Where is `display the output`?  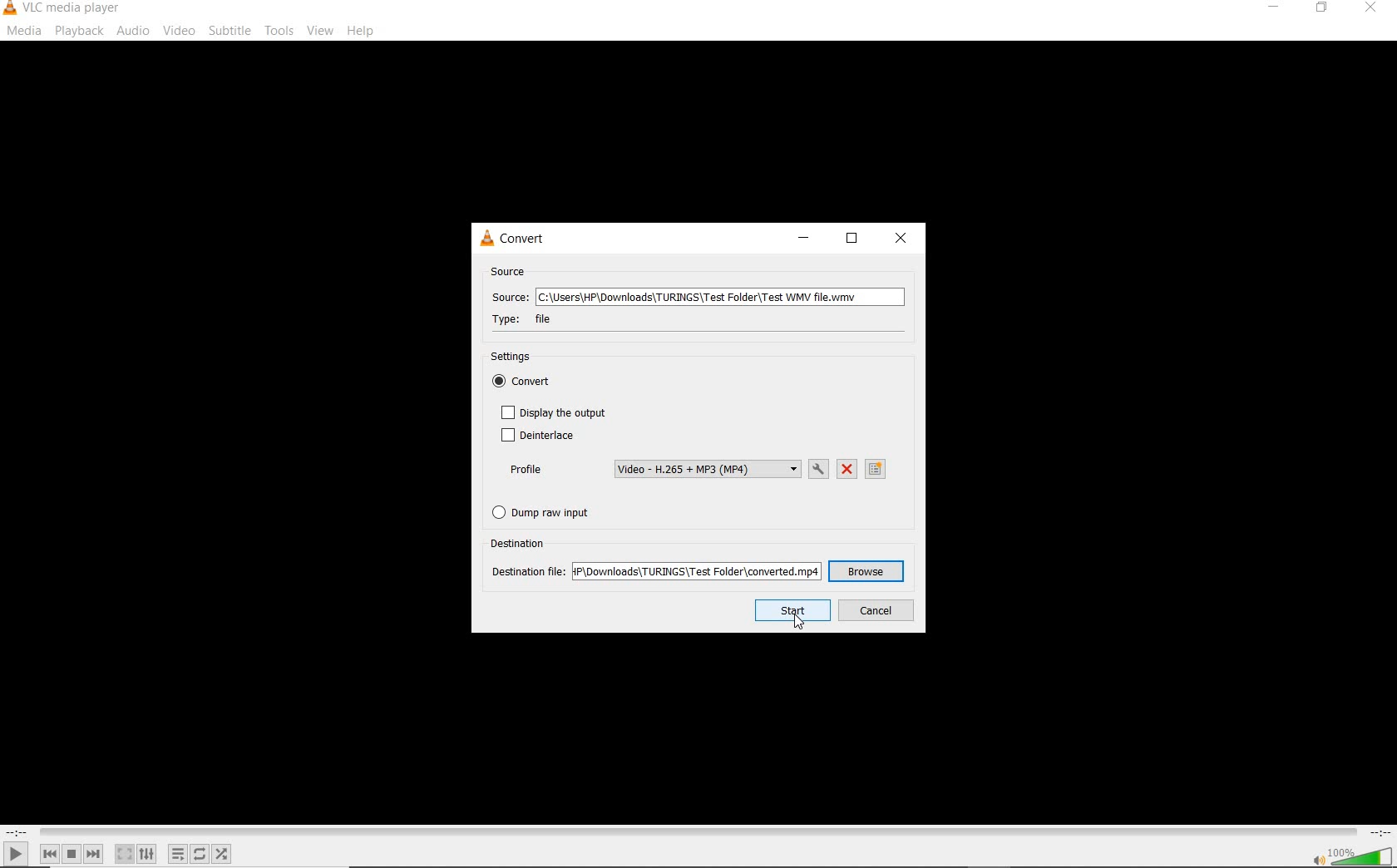 display the output is located at coordinates (554, 412).